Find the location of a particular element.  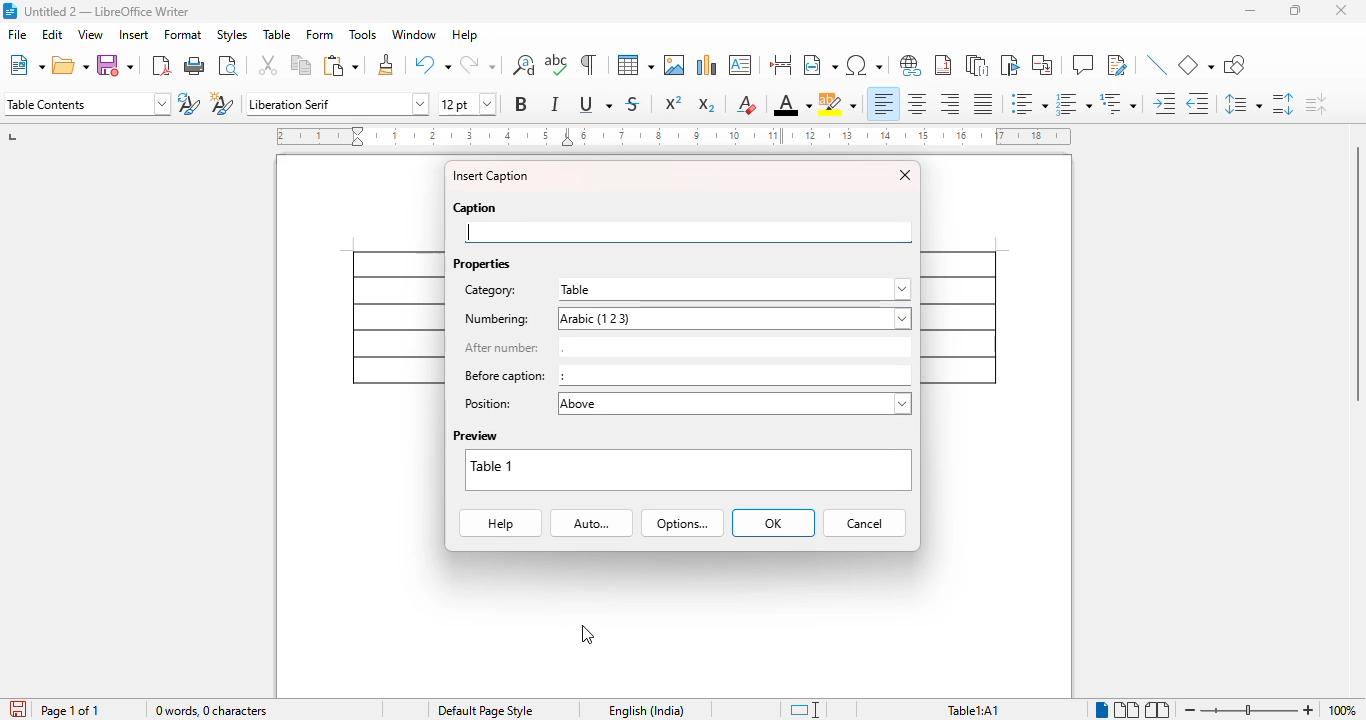

decrease paragraph spacing is located at coordinates (1315, 104).